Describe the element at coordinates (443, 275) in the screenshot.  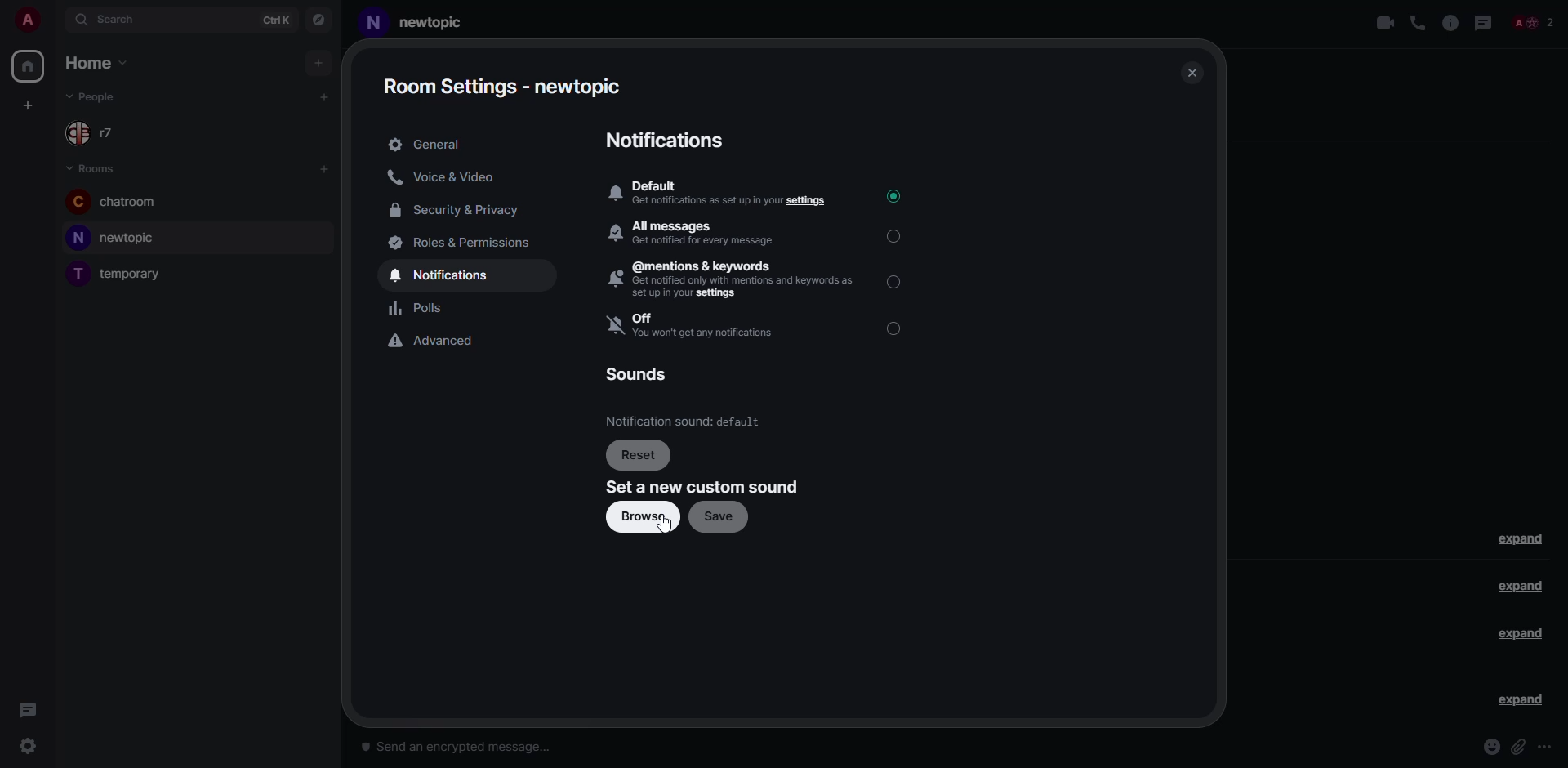
I see `notifications` at that location.